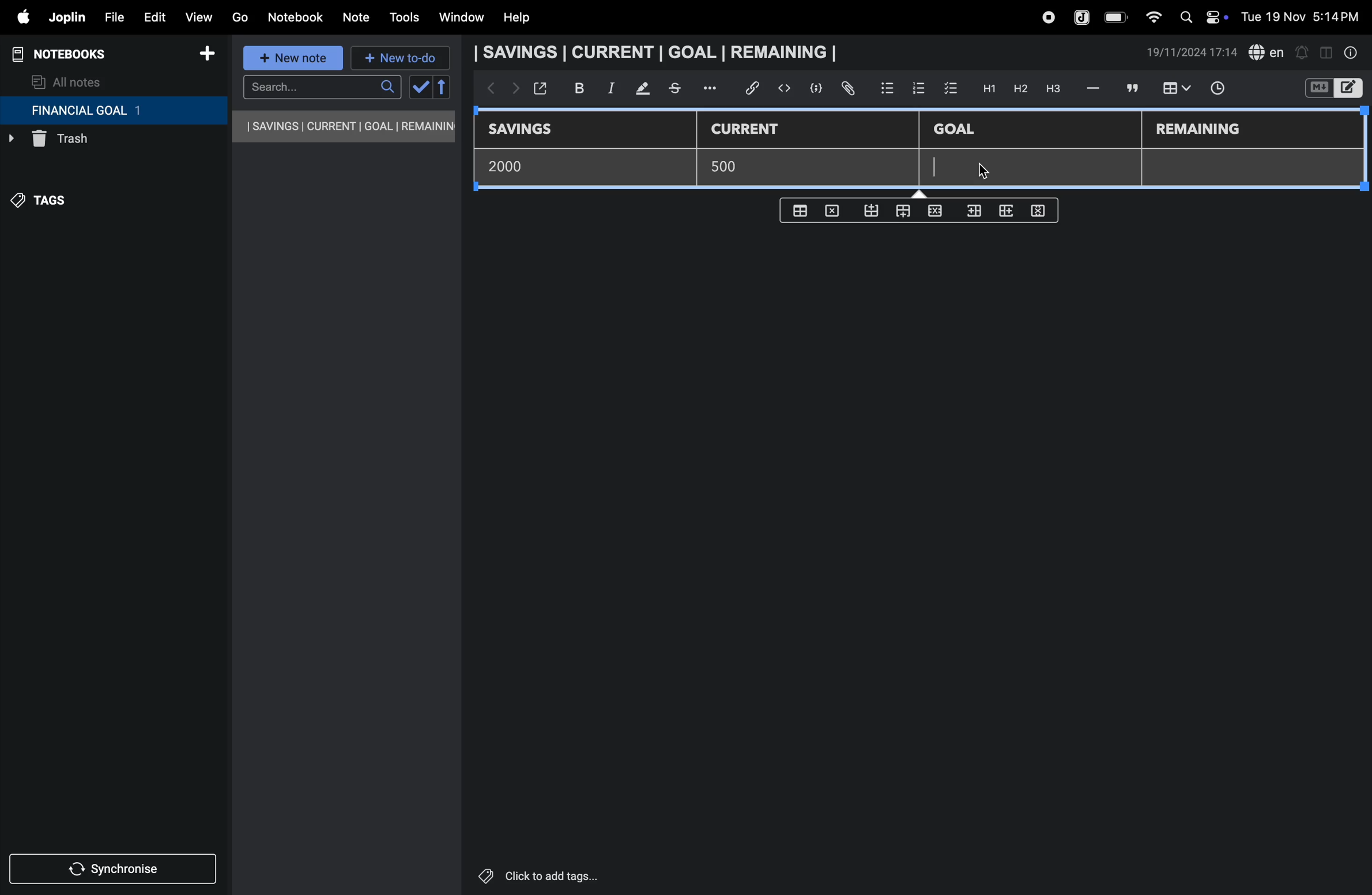 This screenshot has height=895, width=1372. Describe the element at coordinates (712, 88) in the screenshot. I see `options` at that location.